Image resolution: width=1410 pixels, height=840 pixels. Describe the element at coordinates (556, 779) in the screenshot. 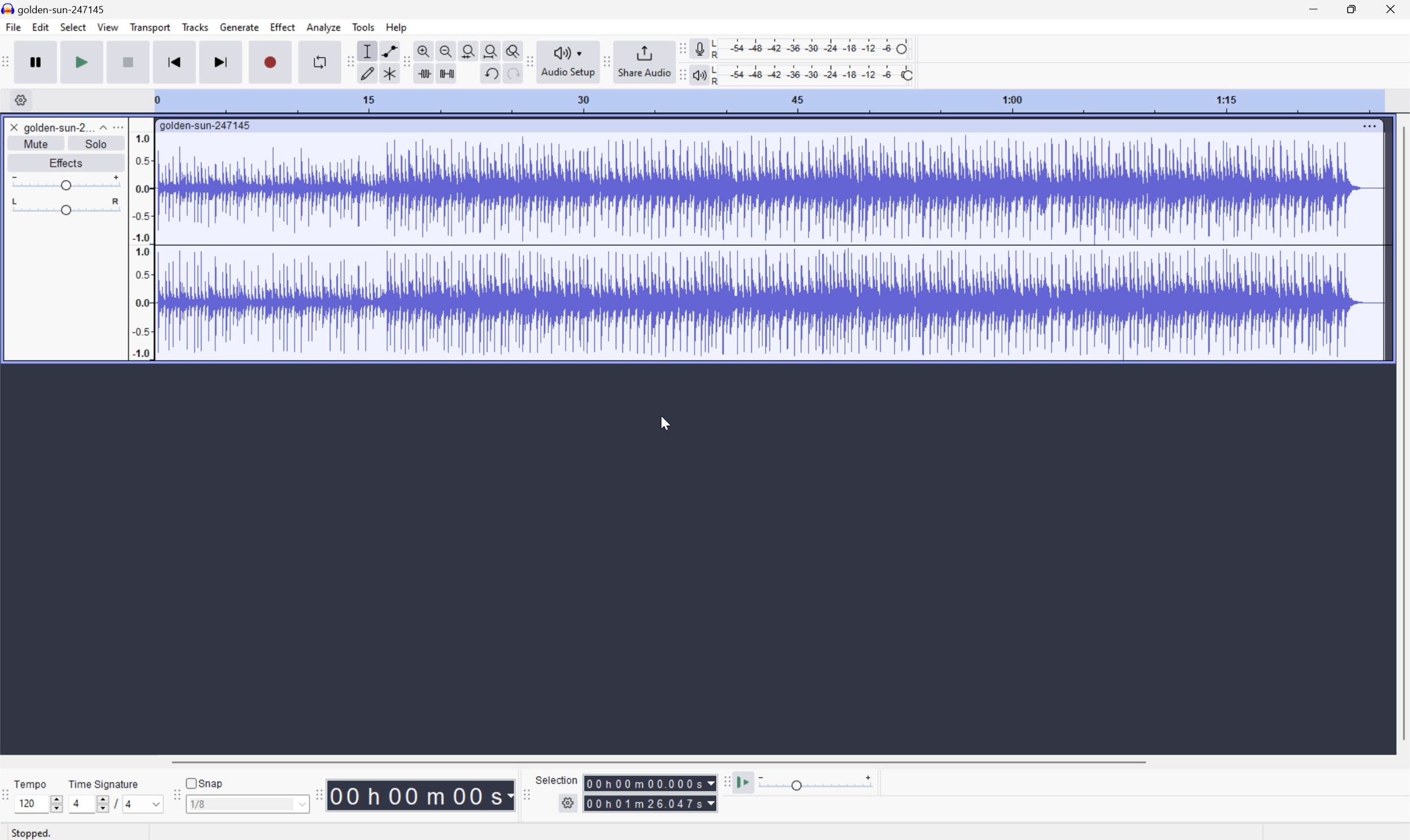

I see `Selection` at that location.